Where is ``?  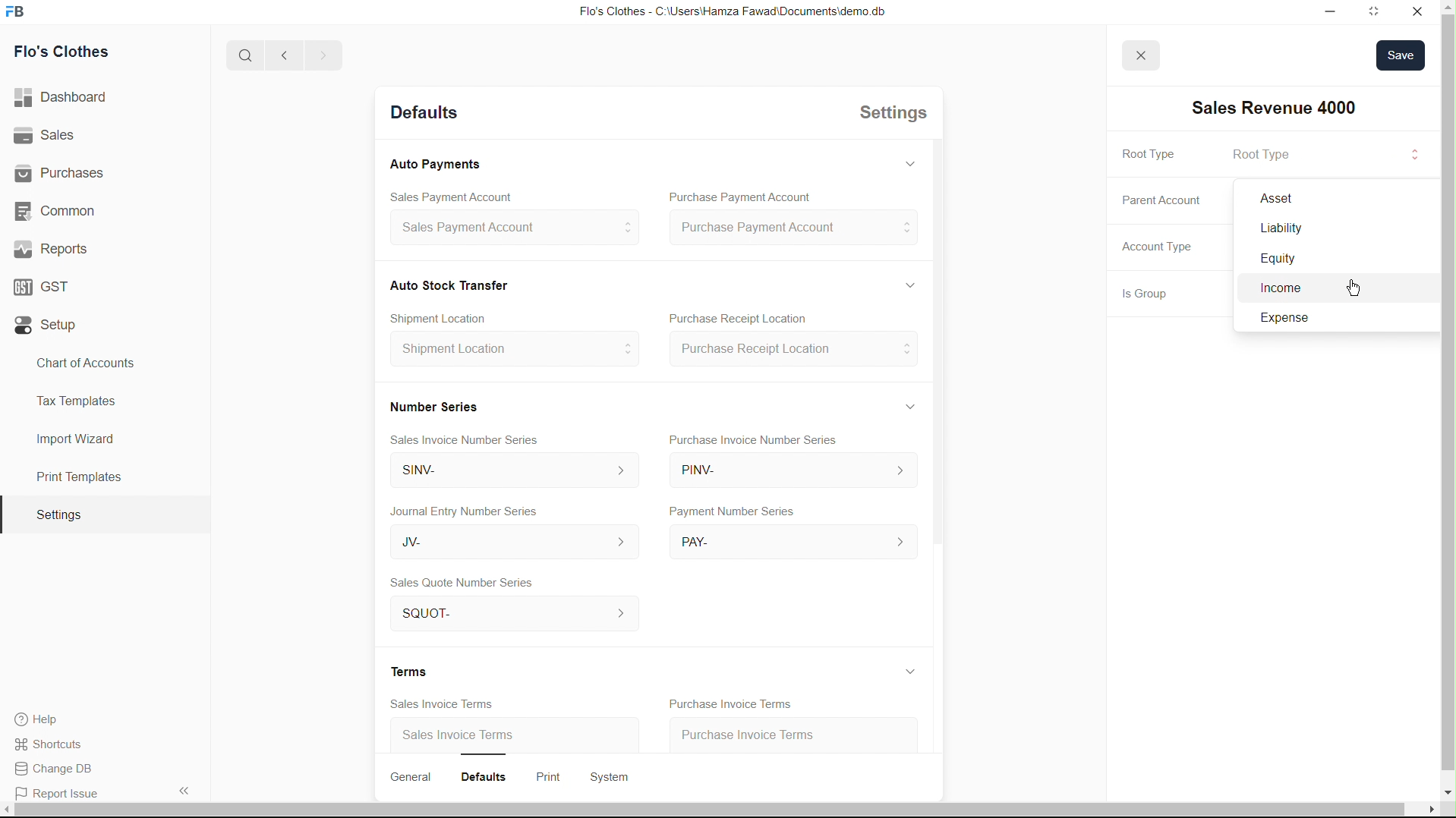
 is located at coordinates (1290, 321).